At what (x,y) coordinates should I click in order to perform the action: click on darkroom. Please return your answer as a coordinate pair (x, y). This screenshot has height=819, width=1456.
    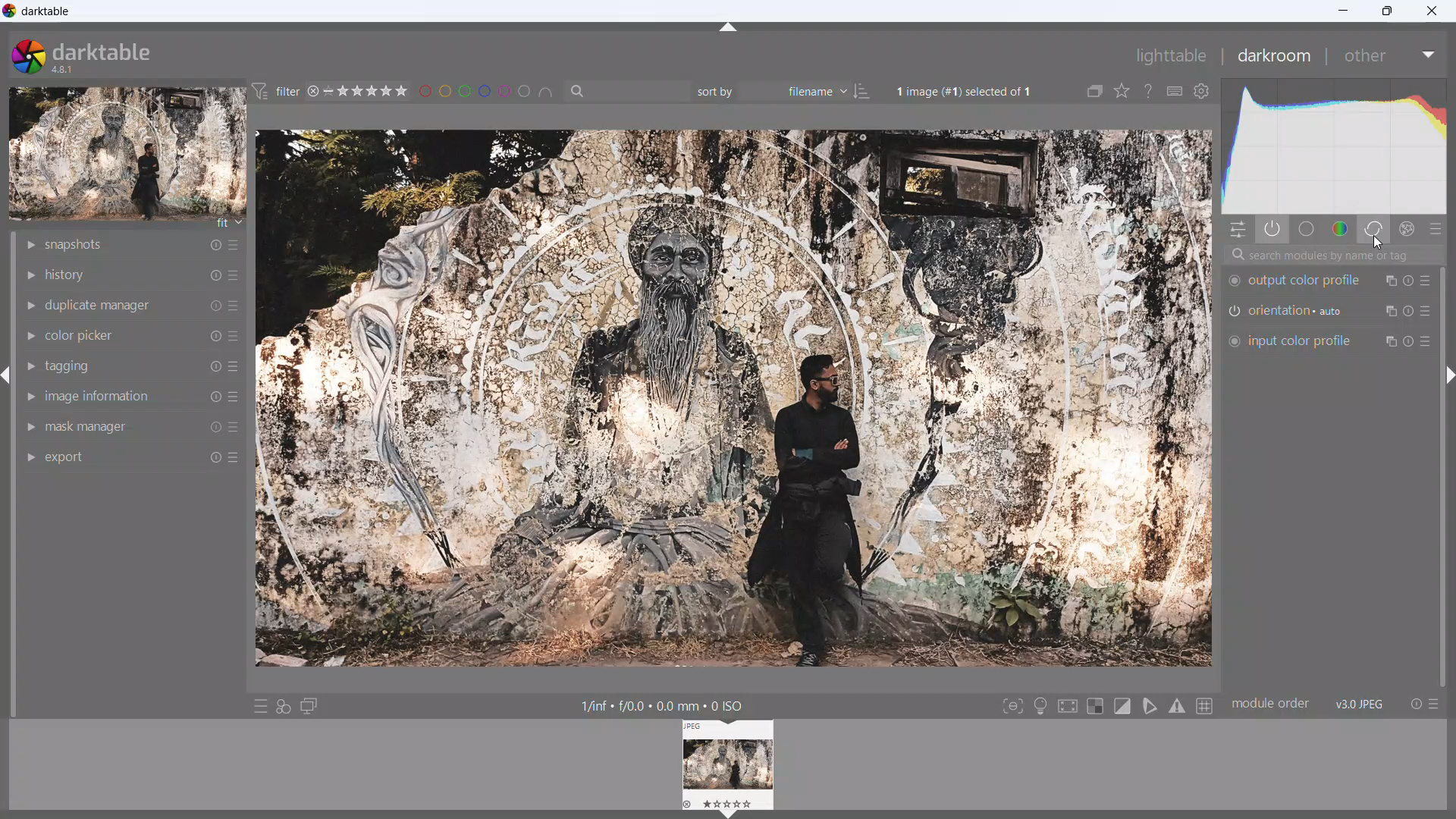
    Looking at the image, I should click on (1274, 54).